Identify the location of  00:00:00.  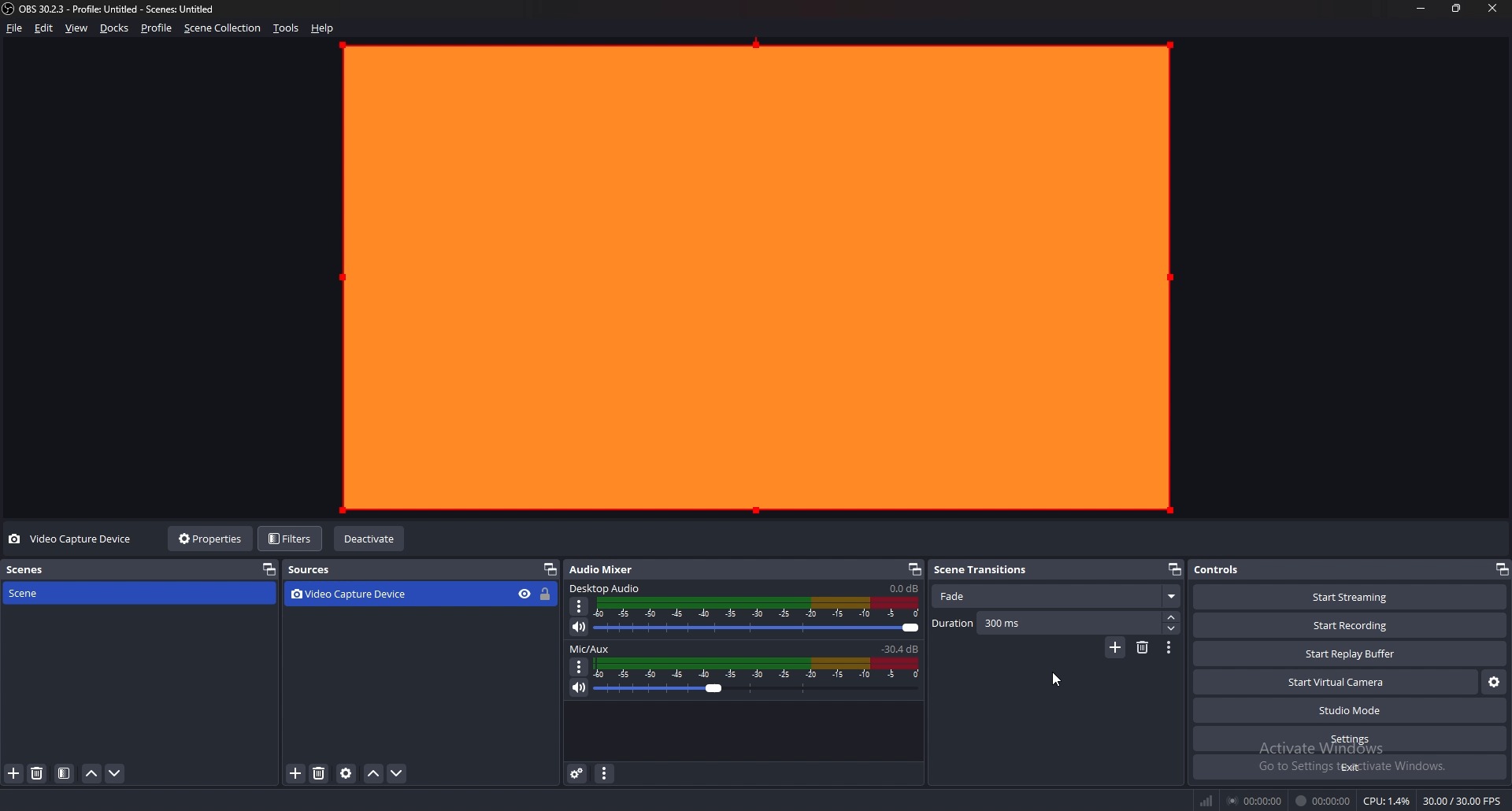
(1322, 801).